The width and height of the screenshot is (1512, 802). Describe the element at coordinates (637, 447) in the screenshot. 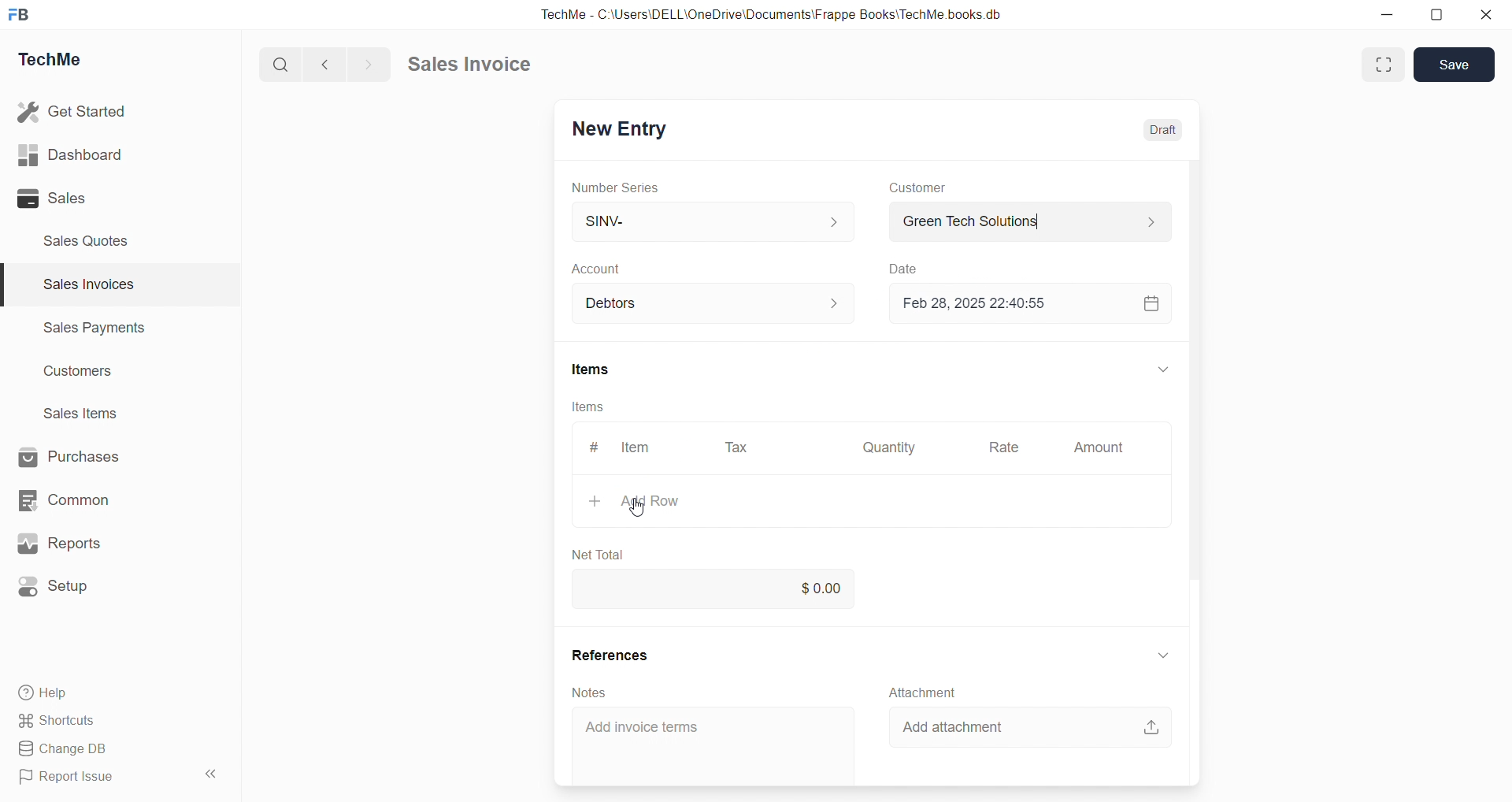

I see `Item` at that location.